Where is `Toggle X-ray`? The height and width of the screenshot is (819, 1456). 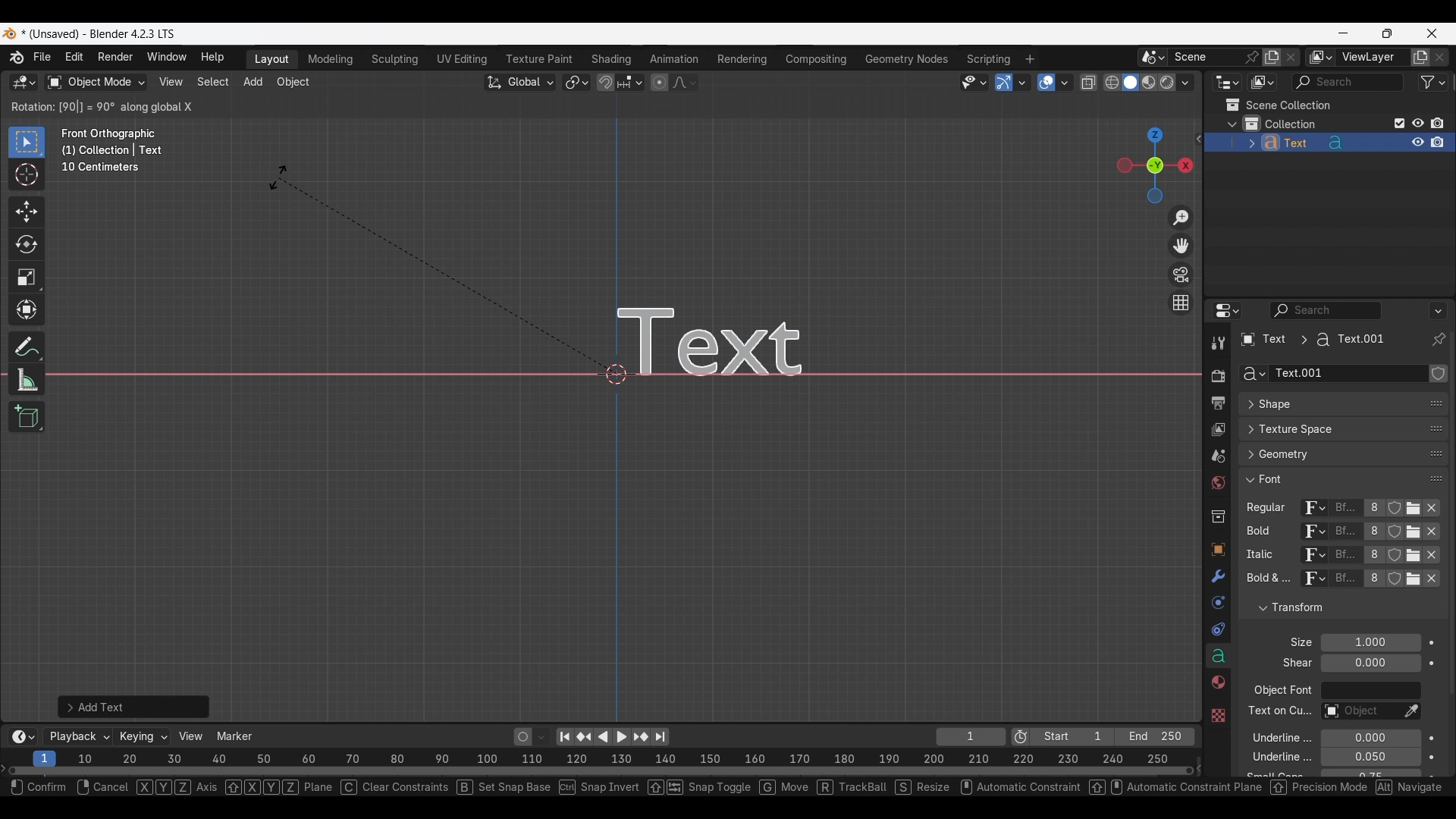 Toggle X-ray is located at coordinates (1089, 83).